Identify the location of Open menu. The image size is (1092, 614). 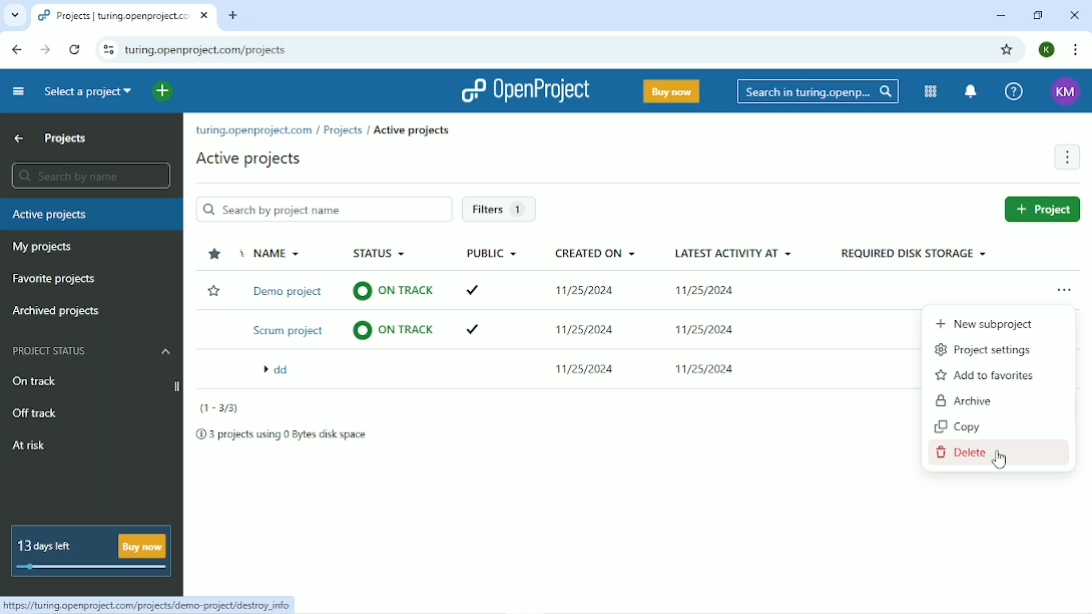
(1068, 289).